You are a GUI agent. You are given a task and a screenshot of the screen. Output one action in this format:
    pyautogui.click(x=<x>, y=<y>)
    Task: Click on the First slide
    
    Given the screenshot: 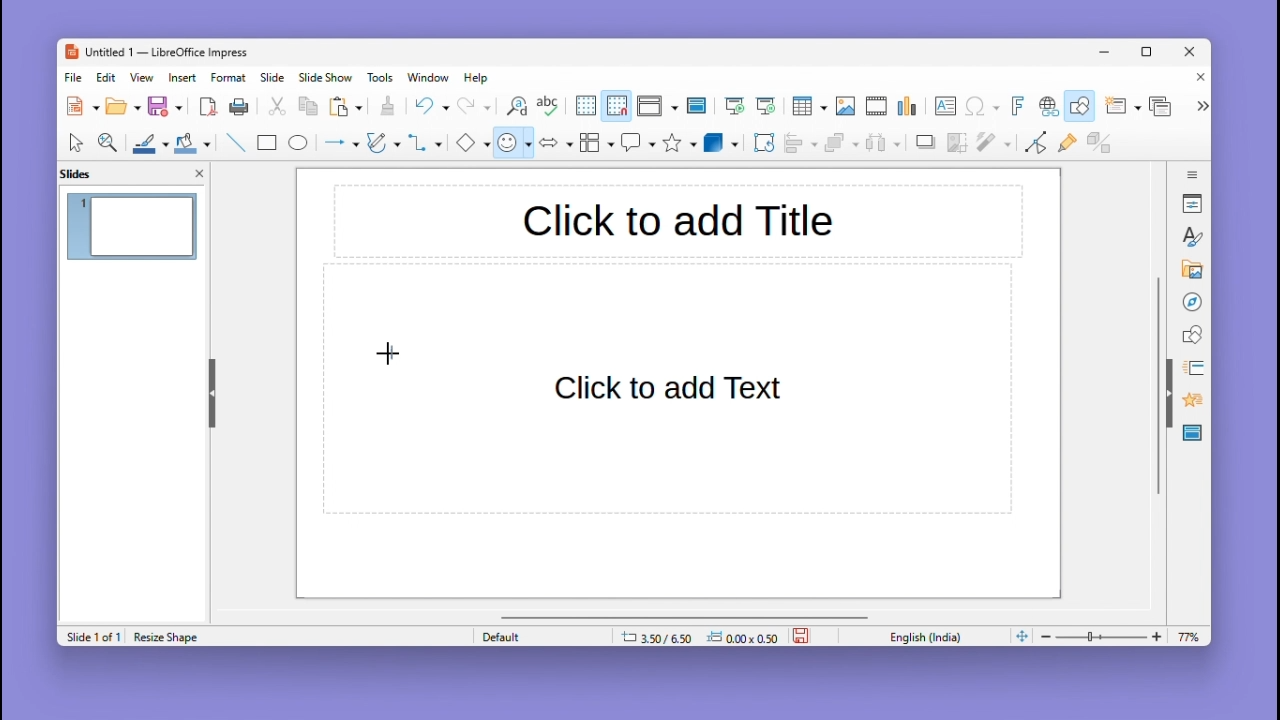 What is the action you would take?
    pyautogui.click(x=735, y=107)
    